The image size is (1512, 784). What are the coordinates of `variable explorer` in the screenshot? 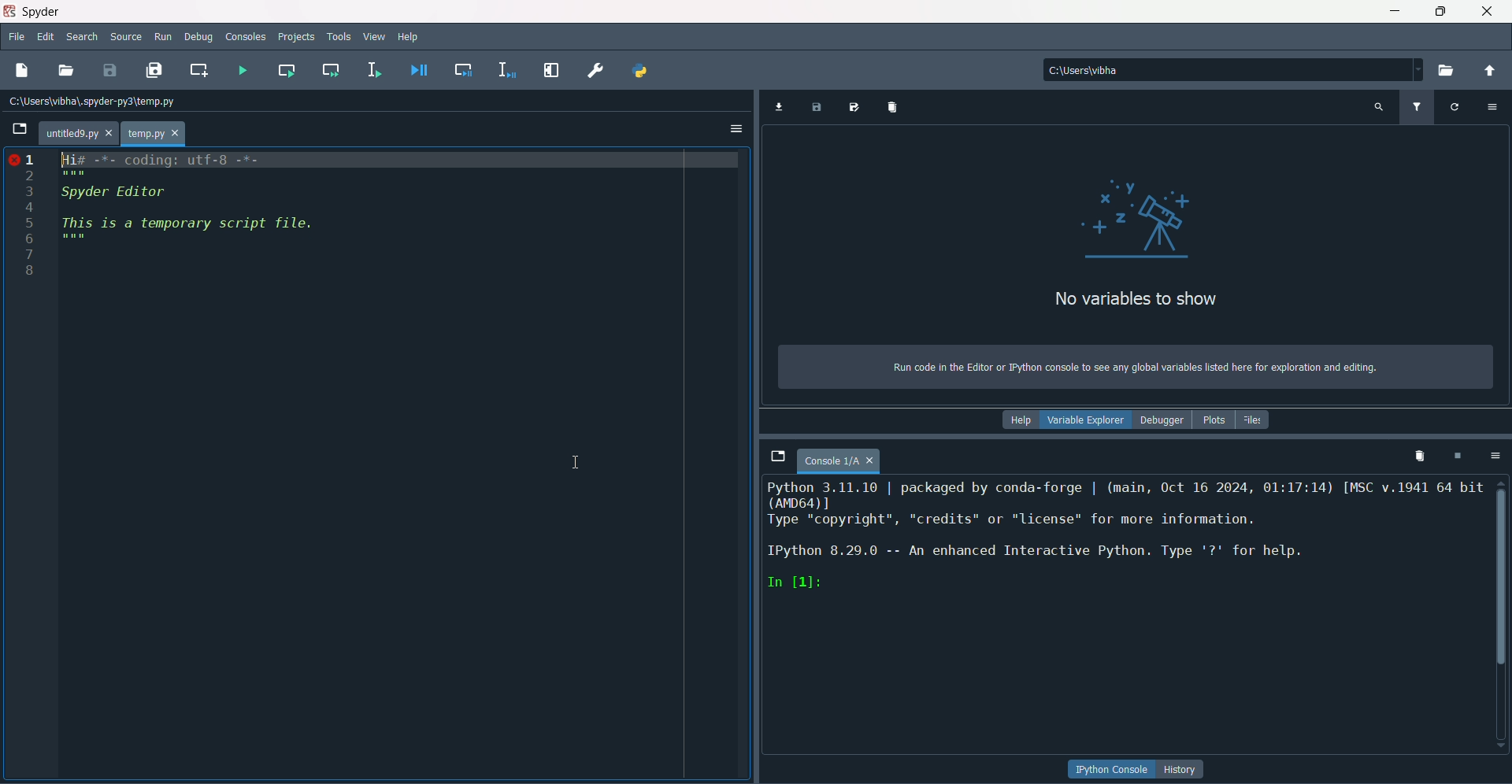 It's located at (1090, 420).